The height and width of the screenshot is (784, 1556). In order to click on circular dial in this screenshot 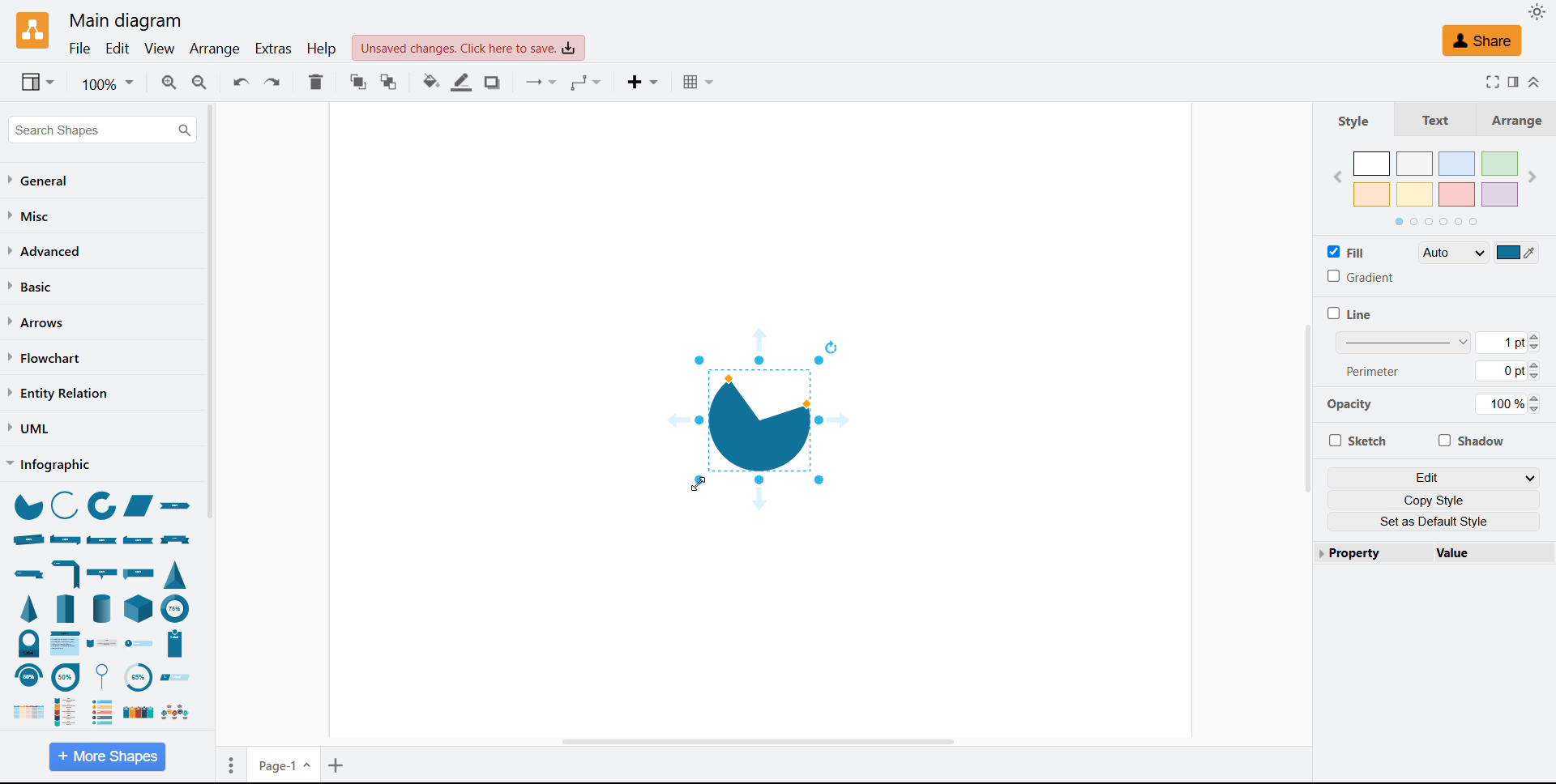, I will do `click(137, 678)`.